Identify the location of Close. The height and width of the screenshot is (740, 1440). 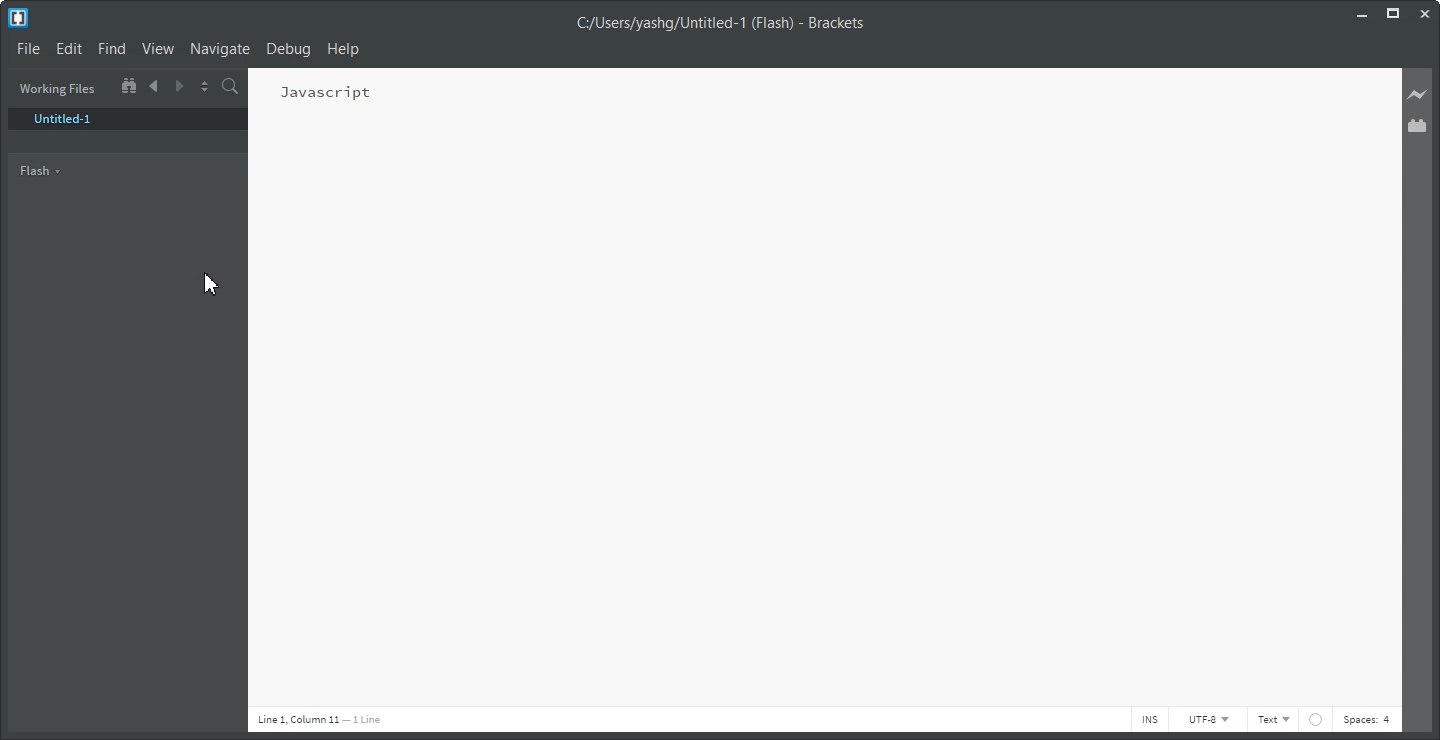
(1426, 13).